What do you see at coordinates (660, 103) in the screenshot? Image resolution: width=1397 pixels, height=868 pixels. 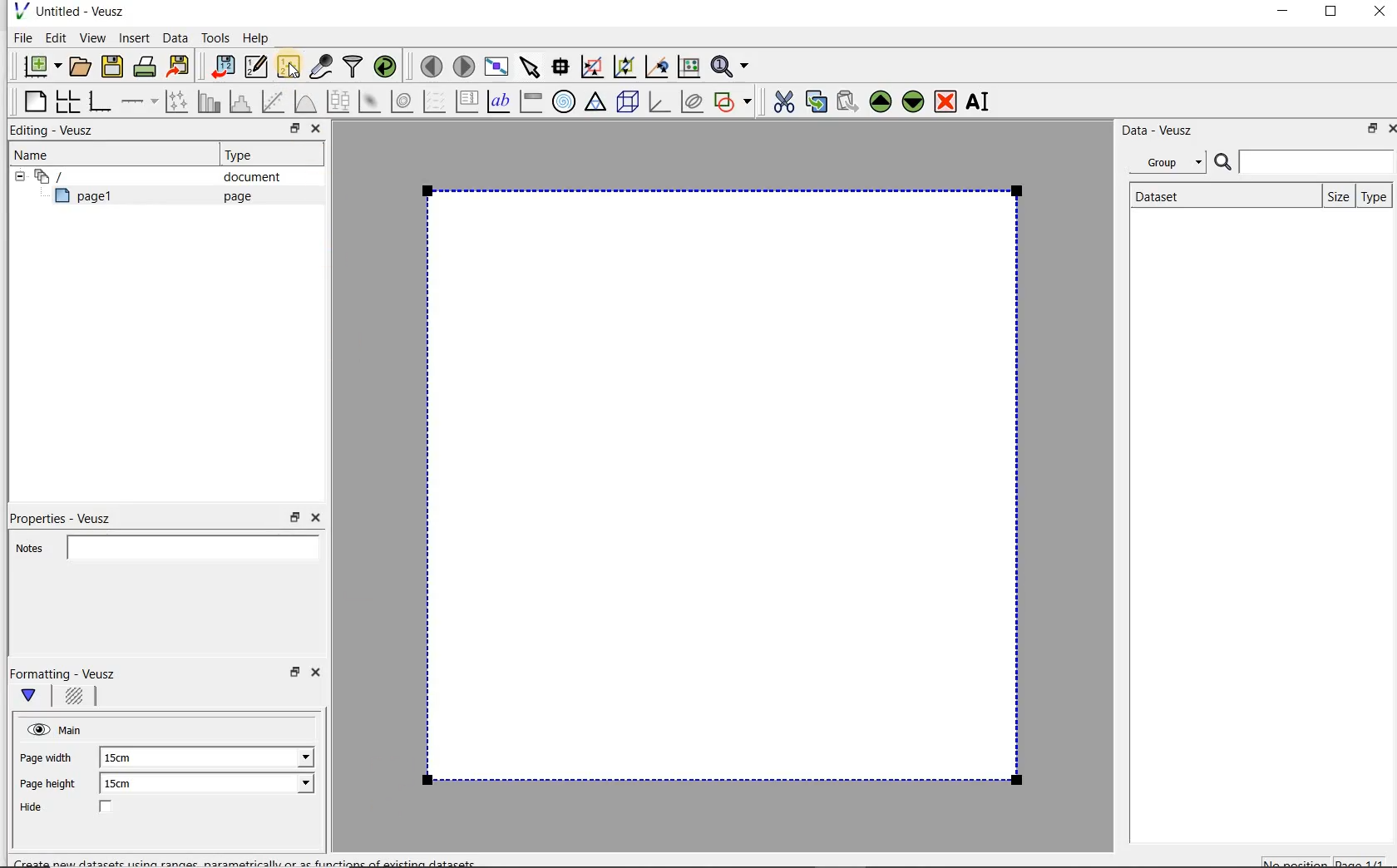 I see `3d graph` at bounding box center [660, 103].